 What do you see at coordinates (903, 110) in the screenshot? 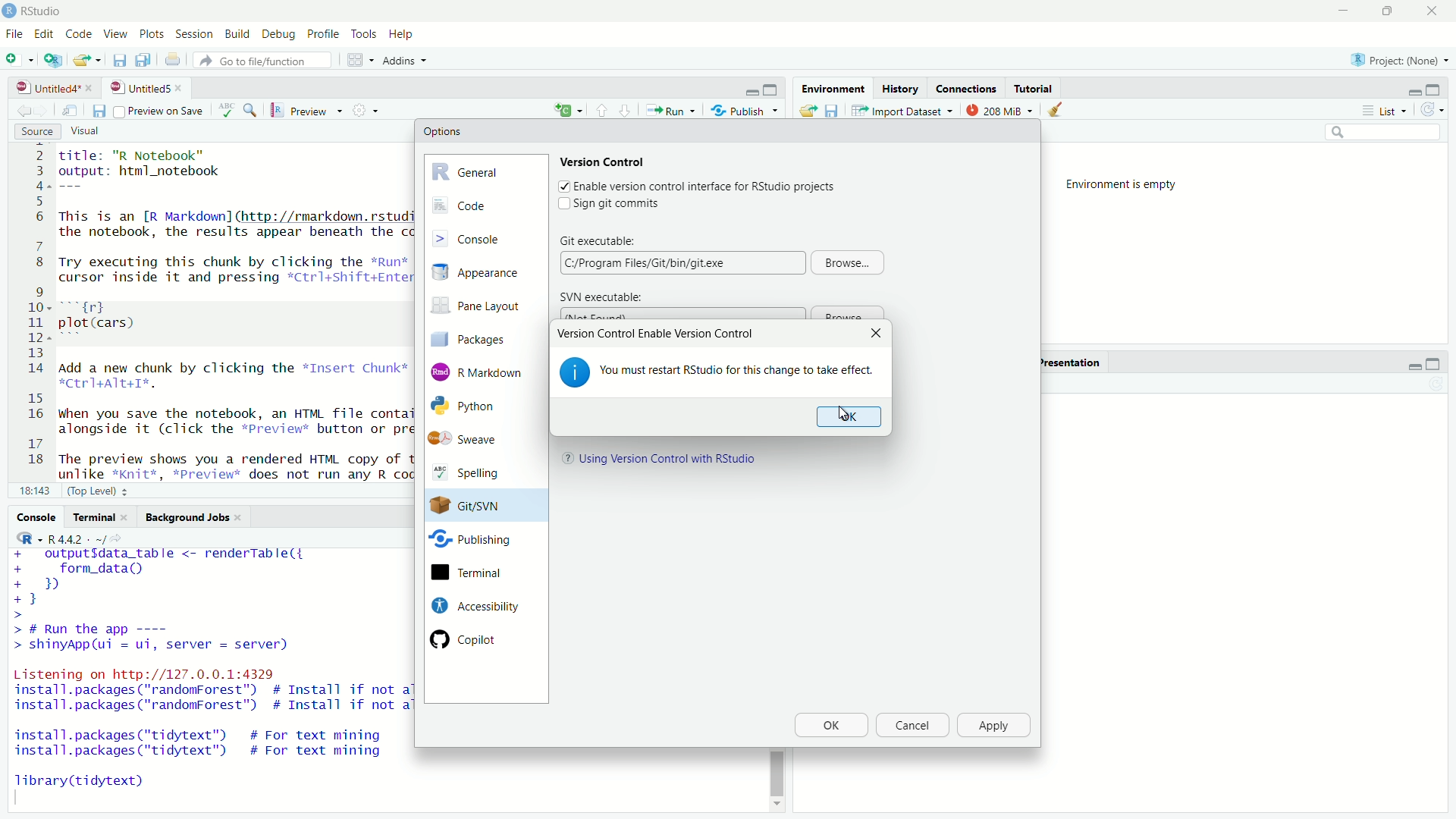
I see `Import Dataset ` at bounding box center [903, 110].